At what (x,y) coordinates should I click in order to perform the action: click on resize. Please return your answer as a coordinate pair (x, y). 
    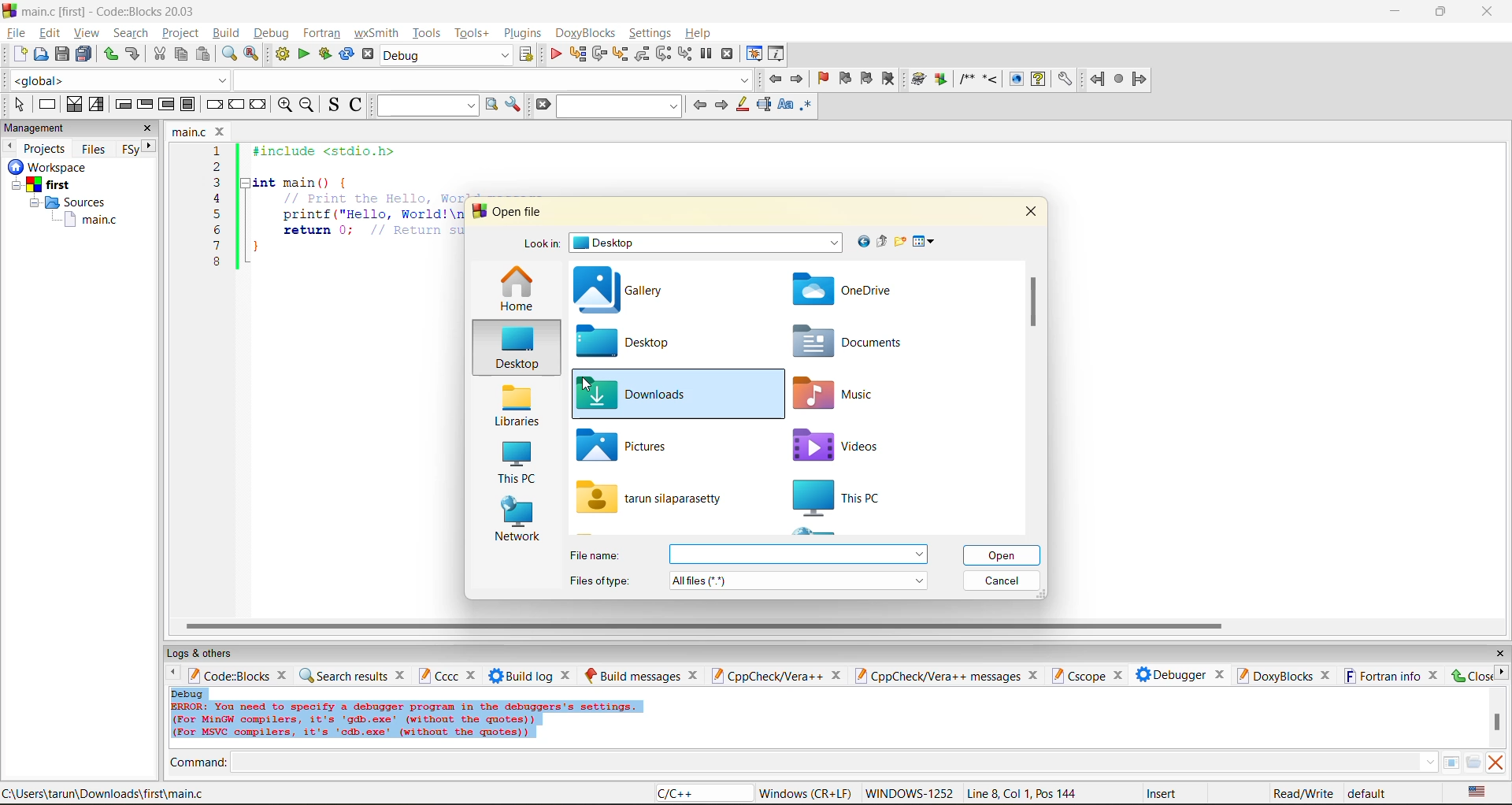
    Looking at the image, I should click on (1441, 10).